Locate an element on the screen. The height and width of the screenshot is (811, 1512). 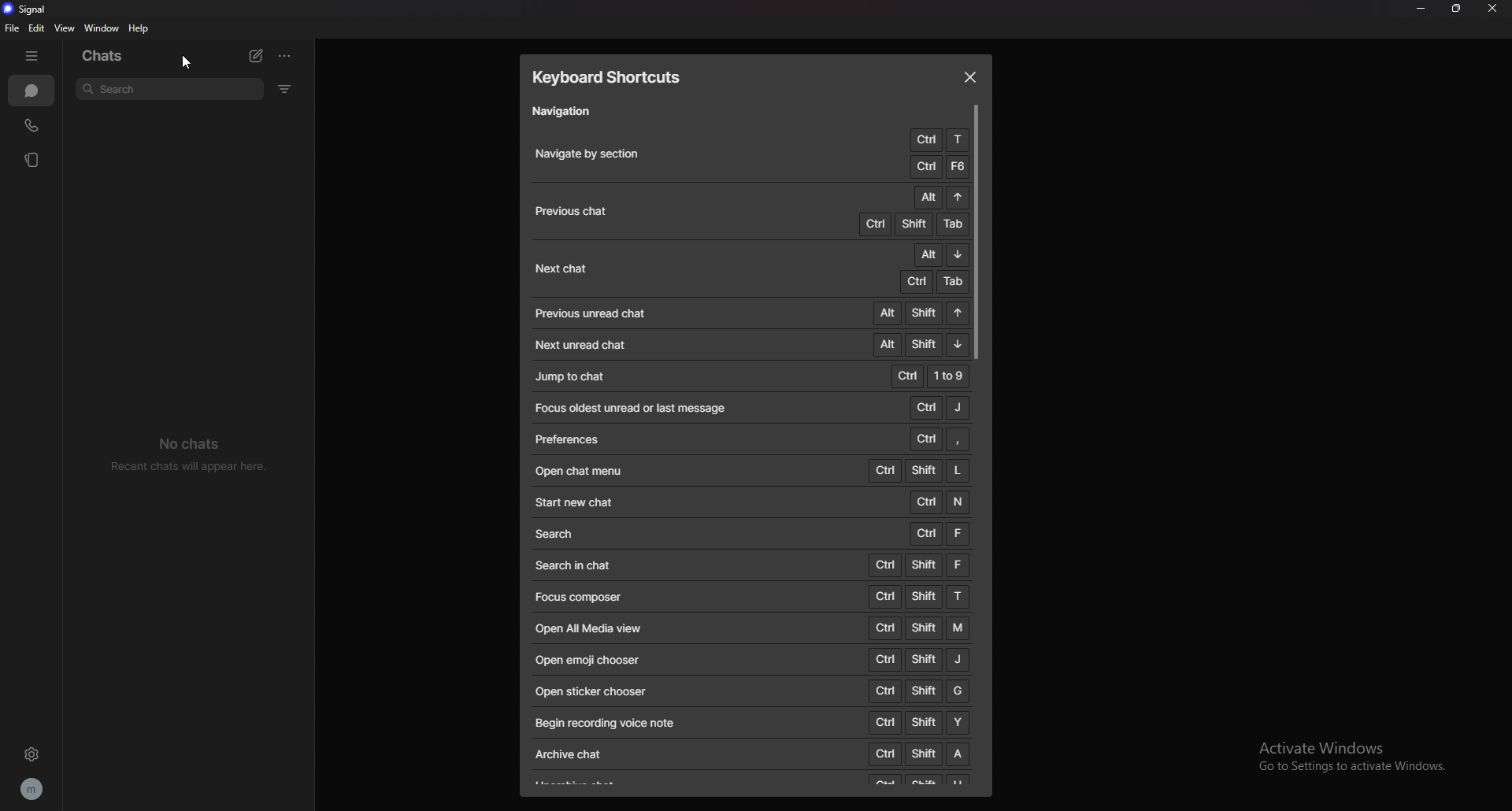
CTRL + TAB is located at coordinates (931, 282).